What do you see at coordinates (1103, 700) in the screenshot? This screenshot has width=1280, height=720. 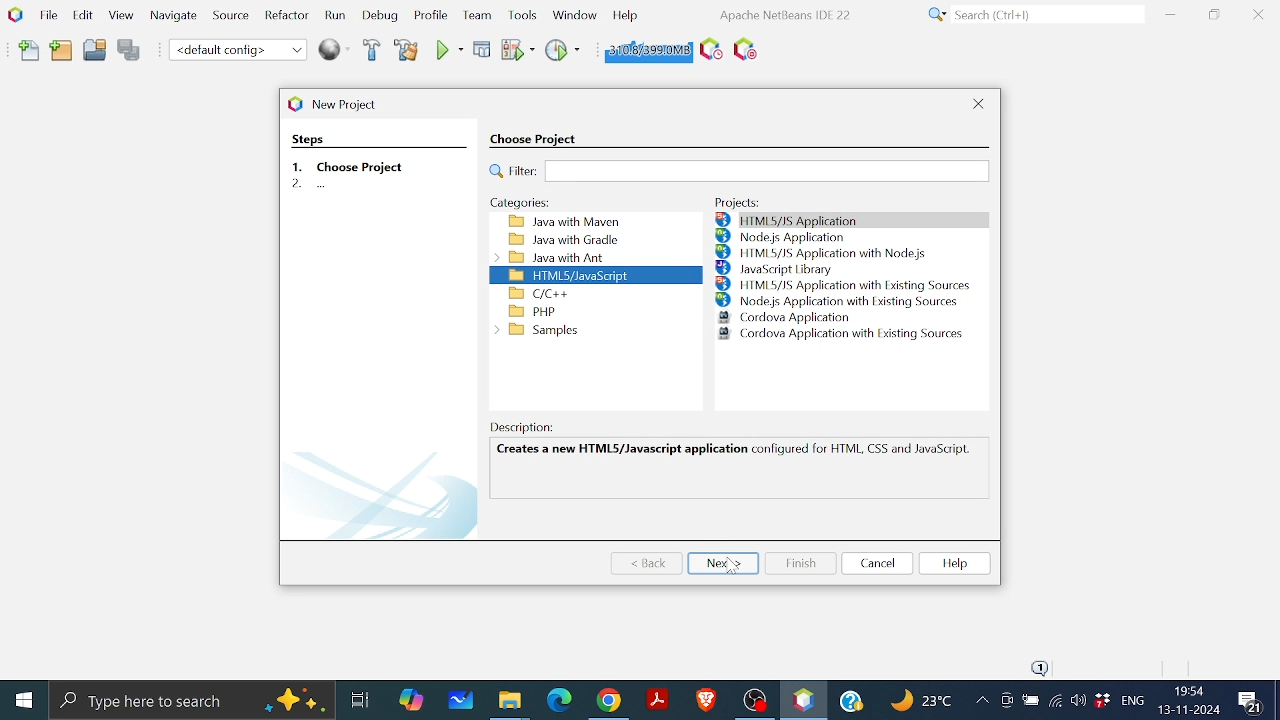 I see `Dropbox` at bounding box center [1103, 700].